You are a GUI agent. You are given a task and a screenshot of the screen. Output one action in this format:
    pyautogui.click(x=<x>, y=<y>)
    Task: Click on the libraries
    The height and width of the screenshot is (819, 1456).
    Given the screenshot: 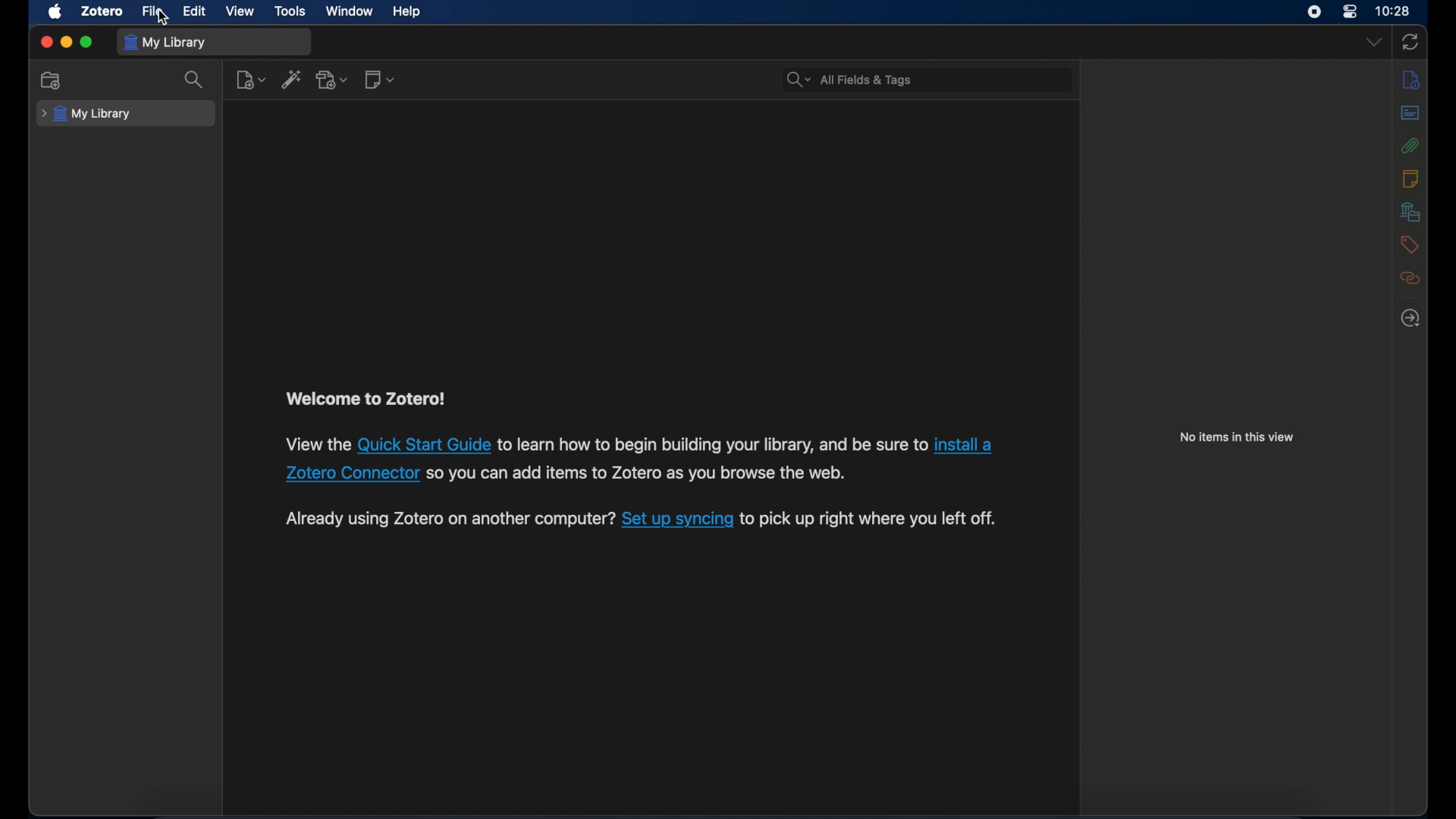 What is the action you would take?
    pyautogui.click(x=1410, y=212)
    